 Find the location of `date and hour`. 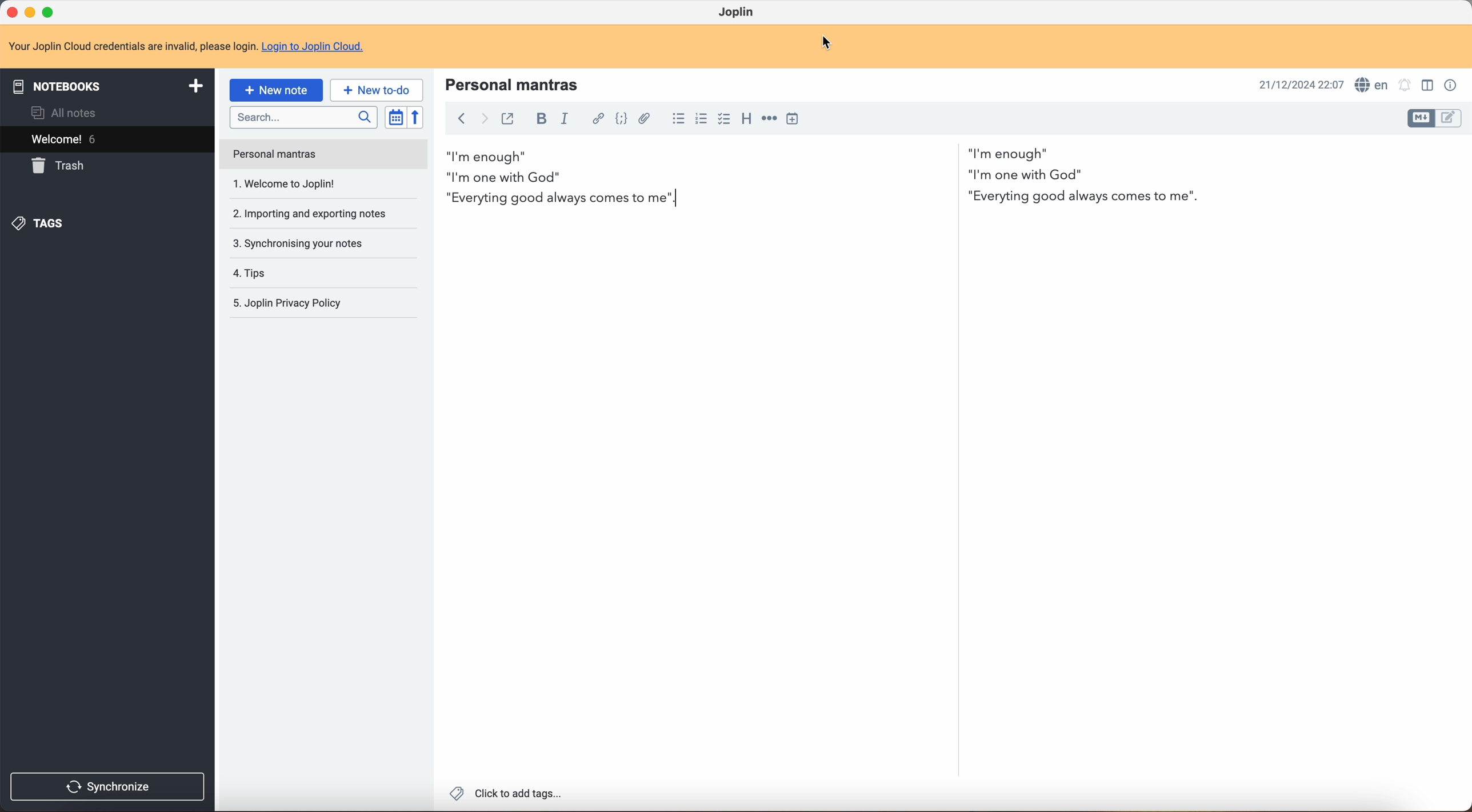

date and hour is located at coordinates (1297, 83).